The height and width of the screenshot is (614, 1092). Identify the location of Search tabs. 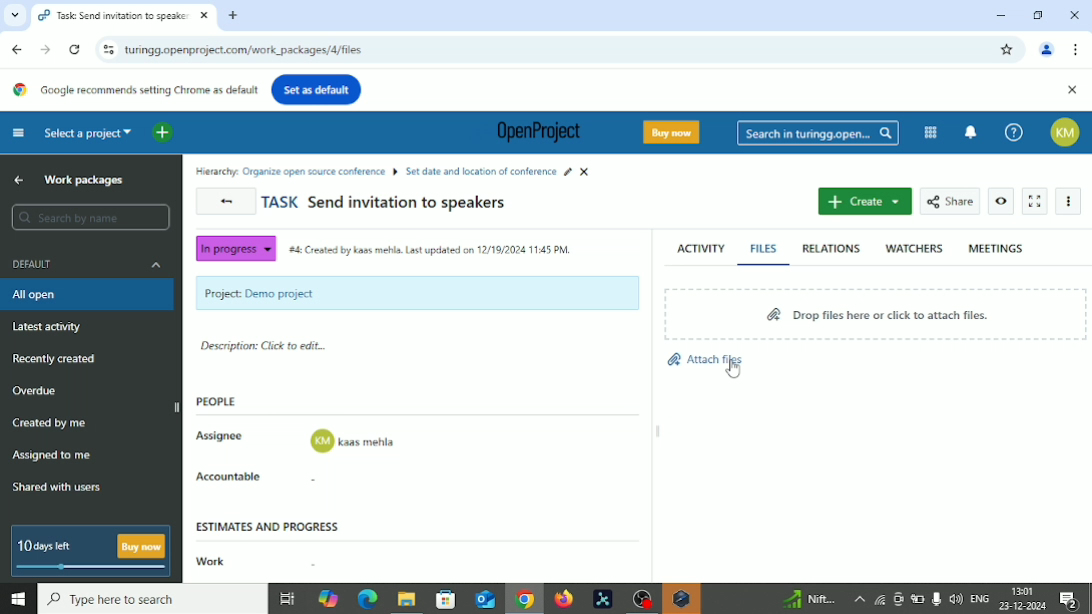
(12, 15).